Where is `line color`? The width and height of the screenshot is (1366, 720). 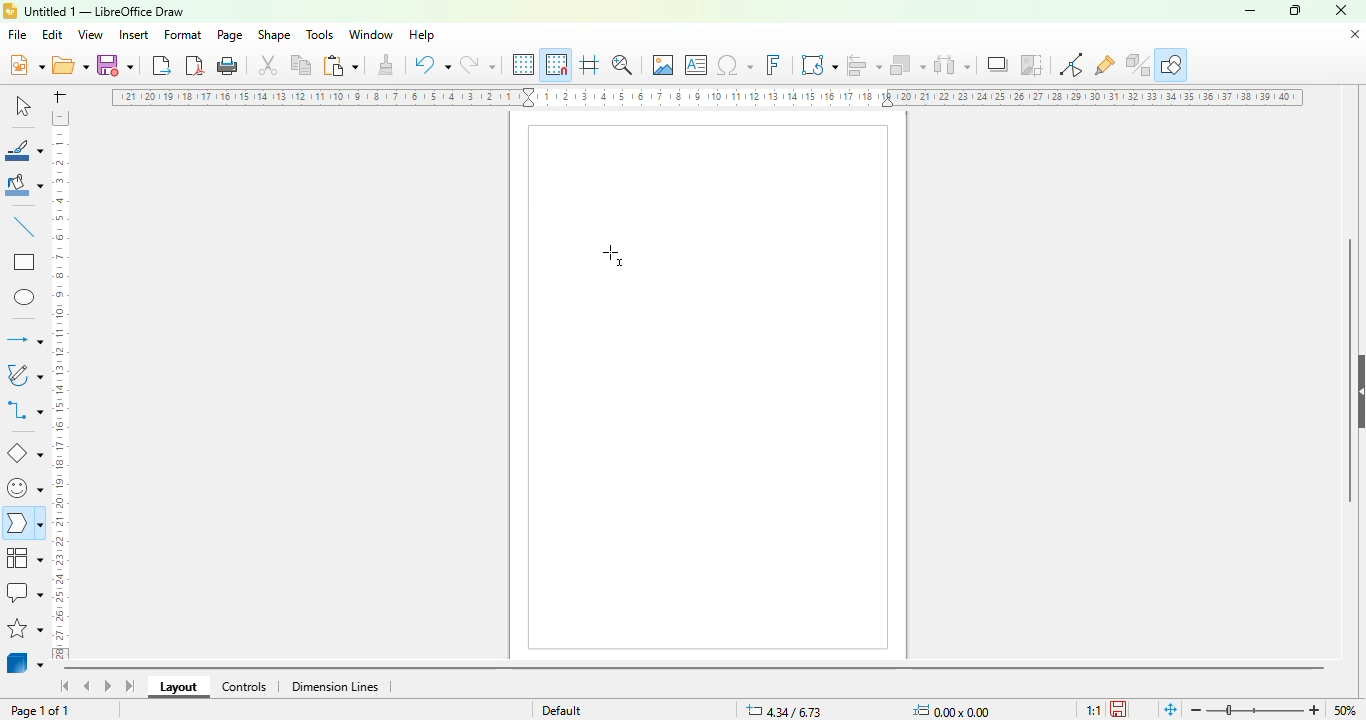
line color is located at coordinates (24, 149).